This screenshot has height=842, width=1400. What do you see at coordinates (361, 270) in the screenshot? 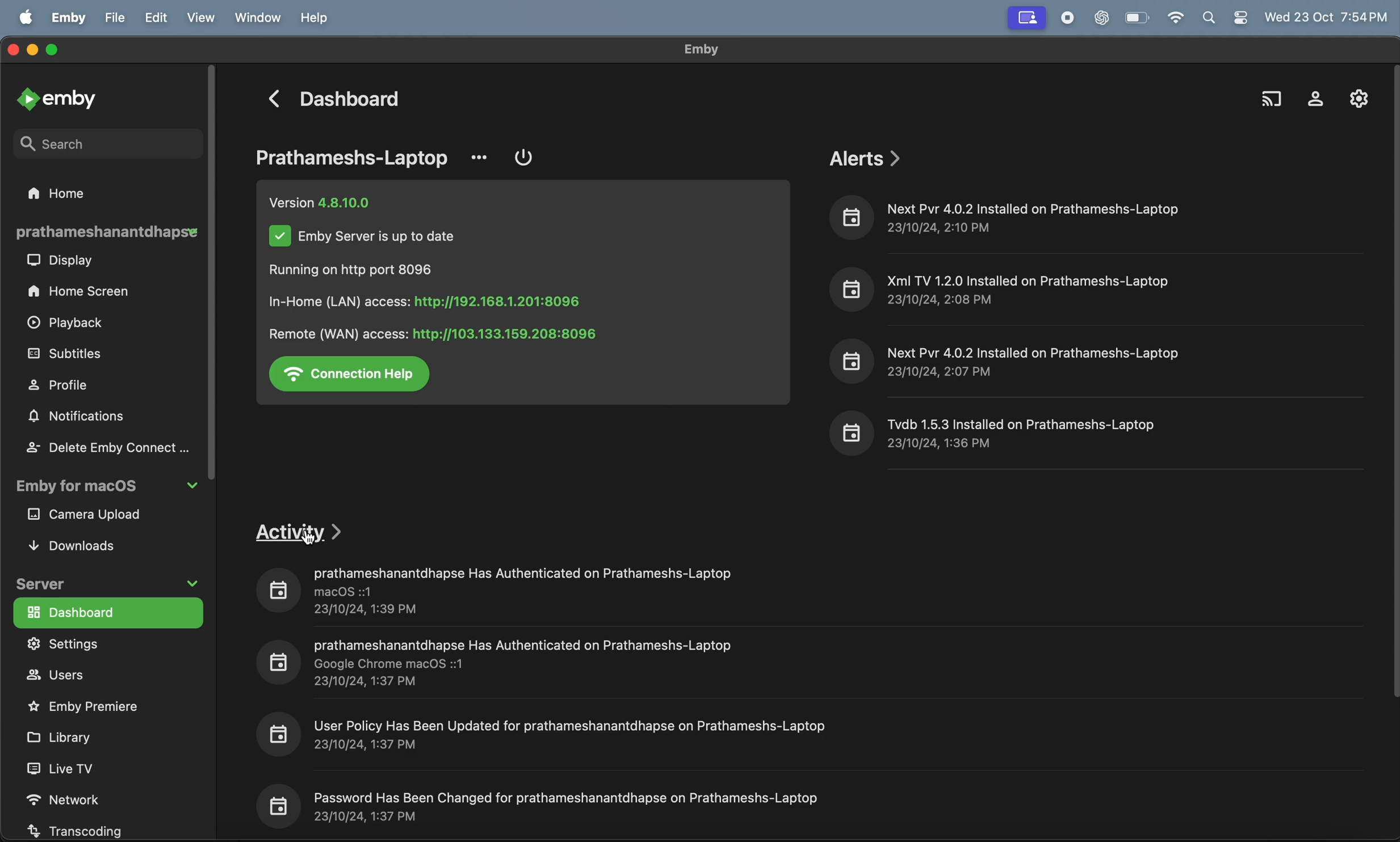
I see `Running on http port 8096` at bounding box center [361, 270].